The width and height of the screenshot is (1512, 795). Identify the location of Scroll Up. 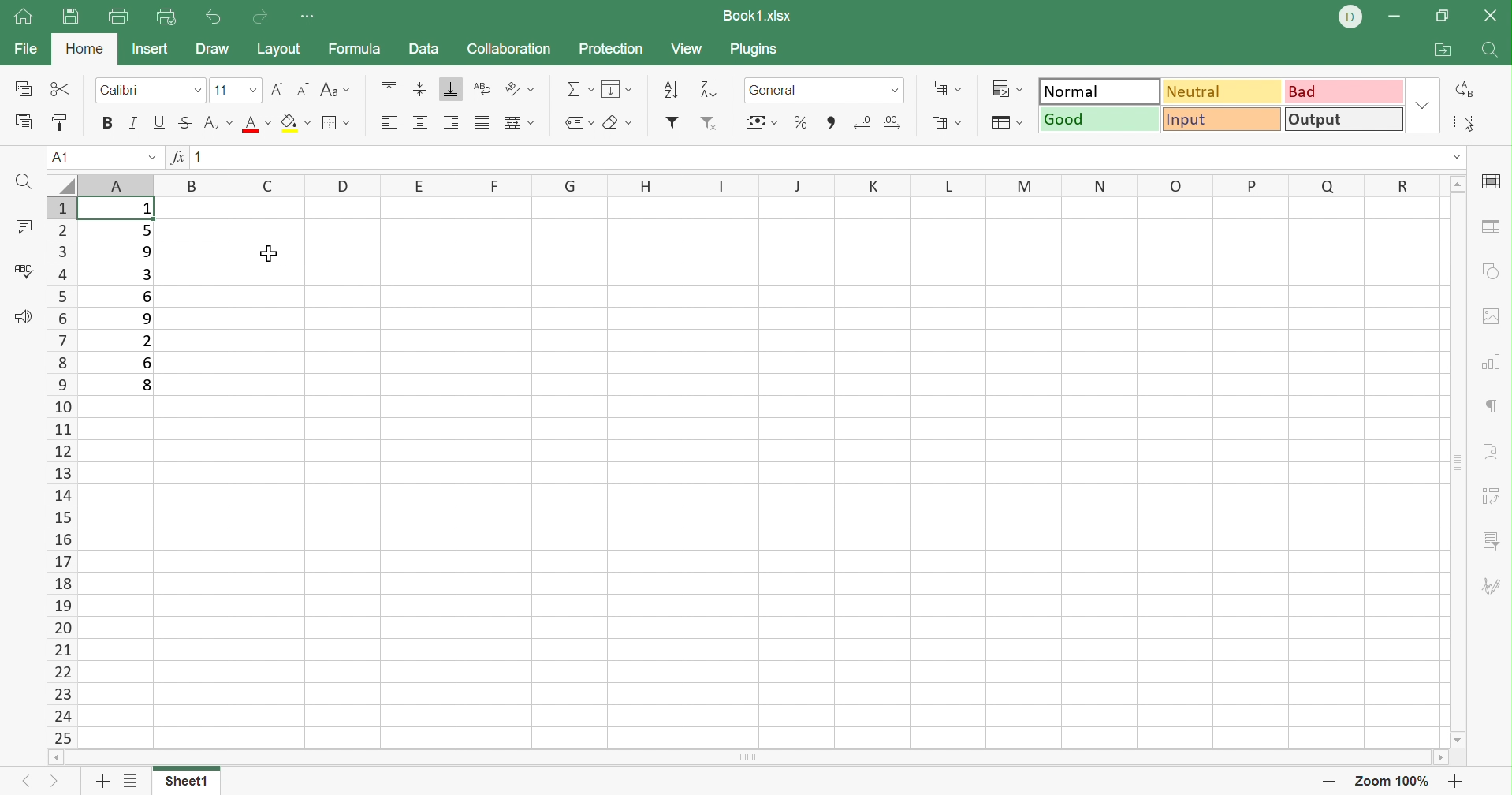
(1458, 185).